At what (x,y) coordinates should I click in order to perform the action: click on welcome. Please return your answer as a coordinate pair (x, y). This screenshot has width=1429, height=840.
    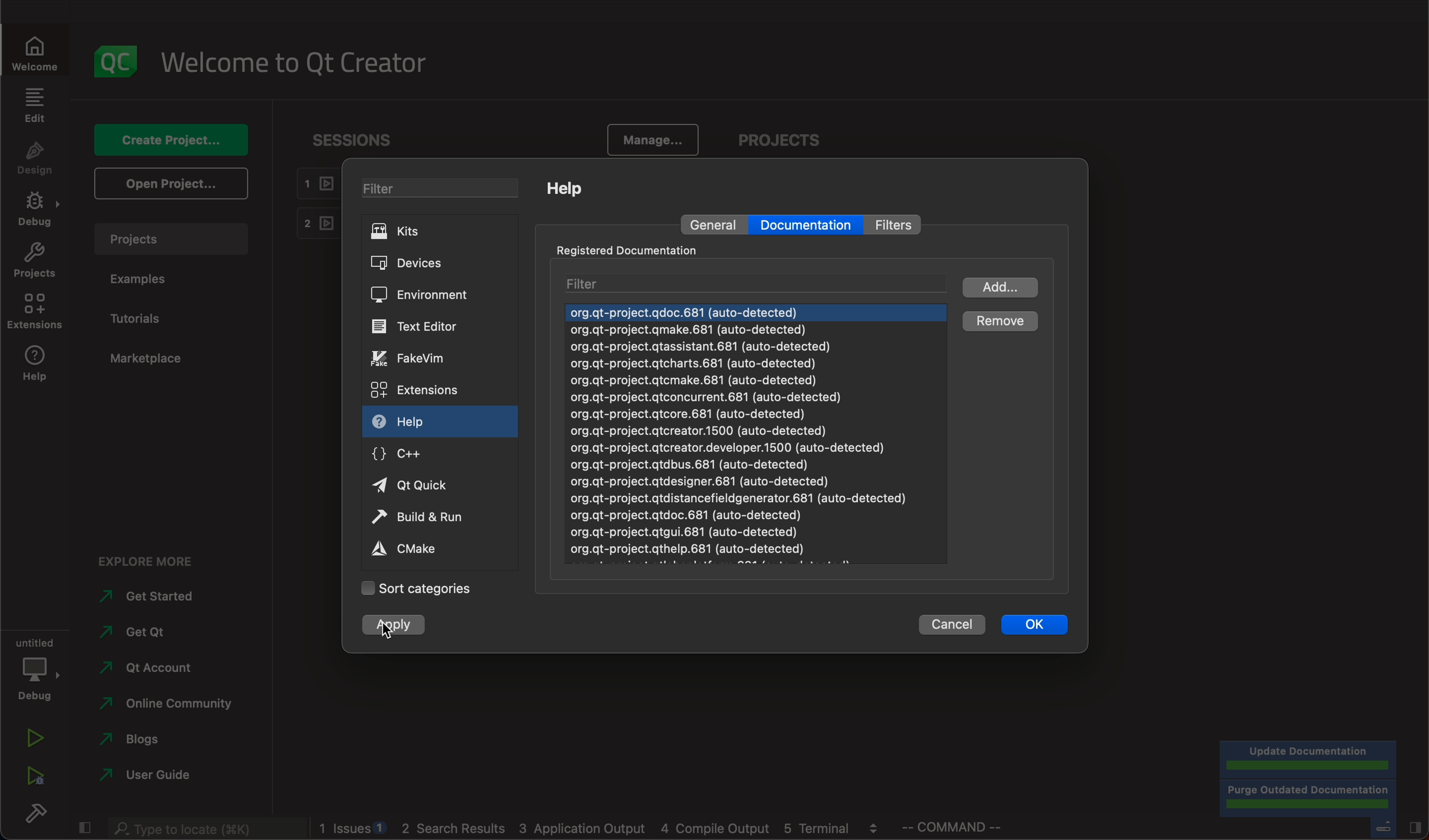
    Looking at the image, I should click on (33, 57).